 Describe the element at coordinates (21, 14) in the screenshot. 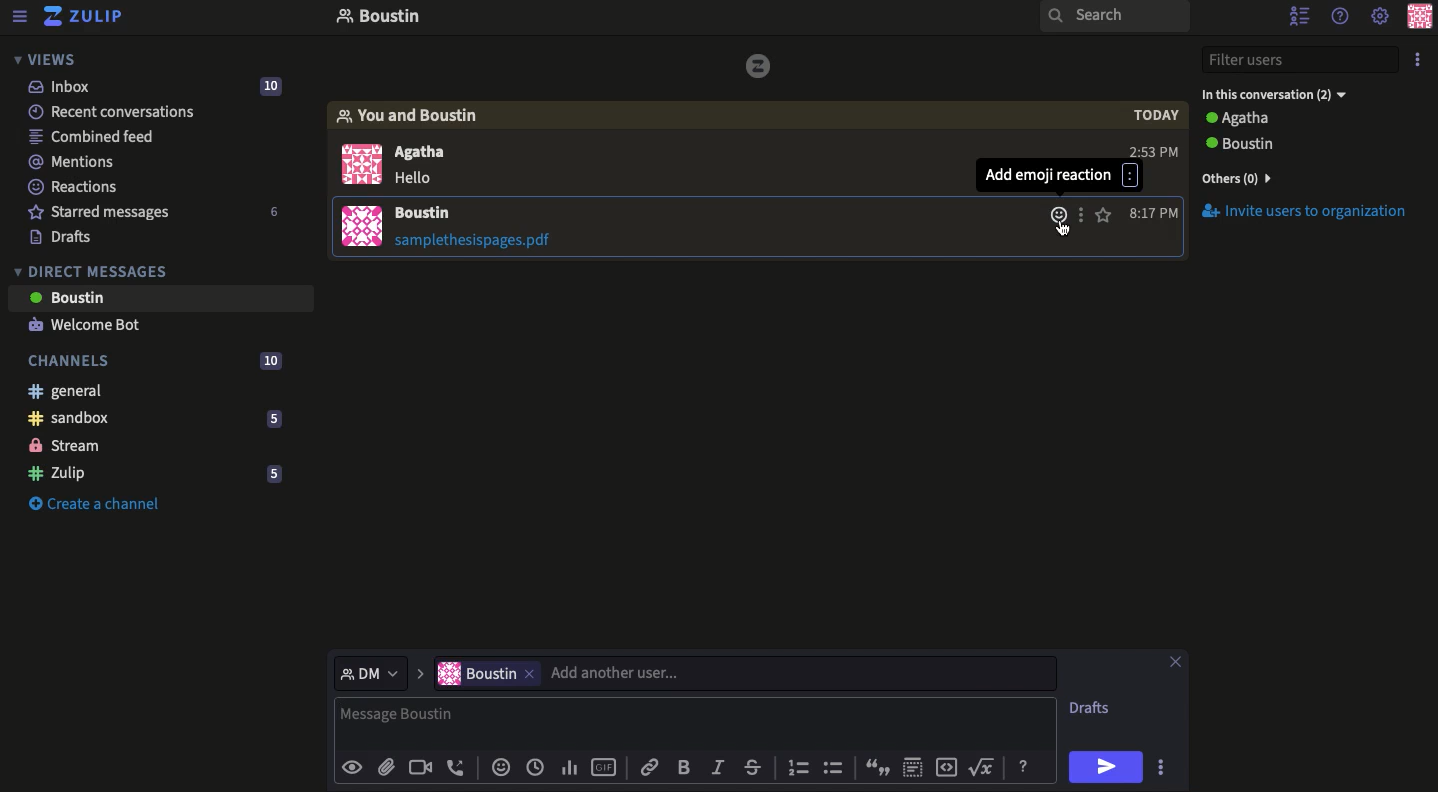

I see `Menu` at that location.